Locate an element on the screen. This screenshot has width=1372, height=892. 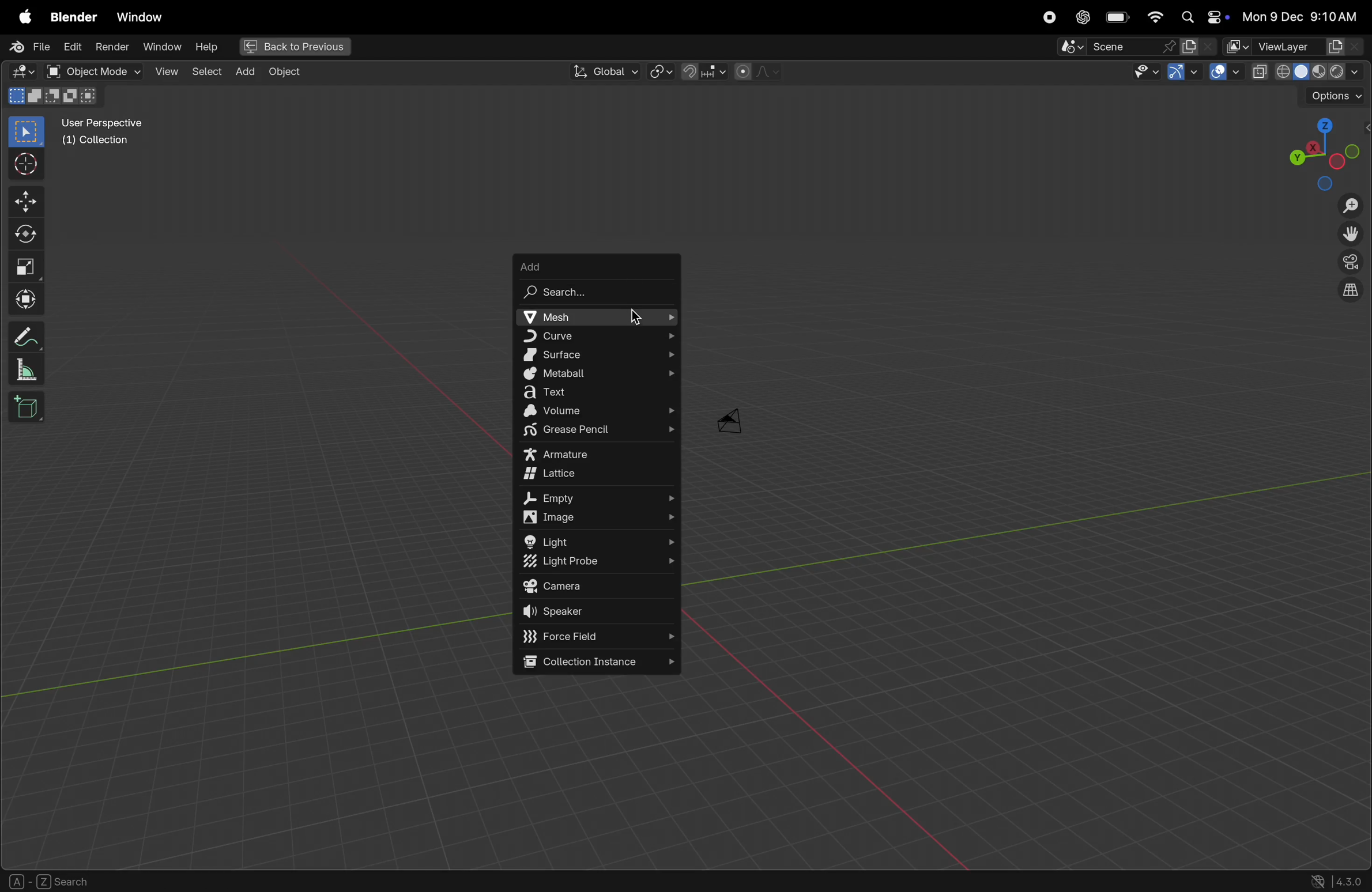
visibility is located at coordinates (1143, 73).